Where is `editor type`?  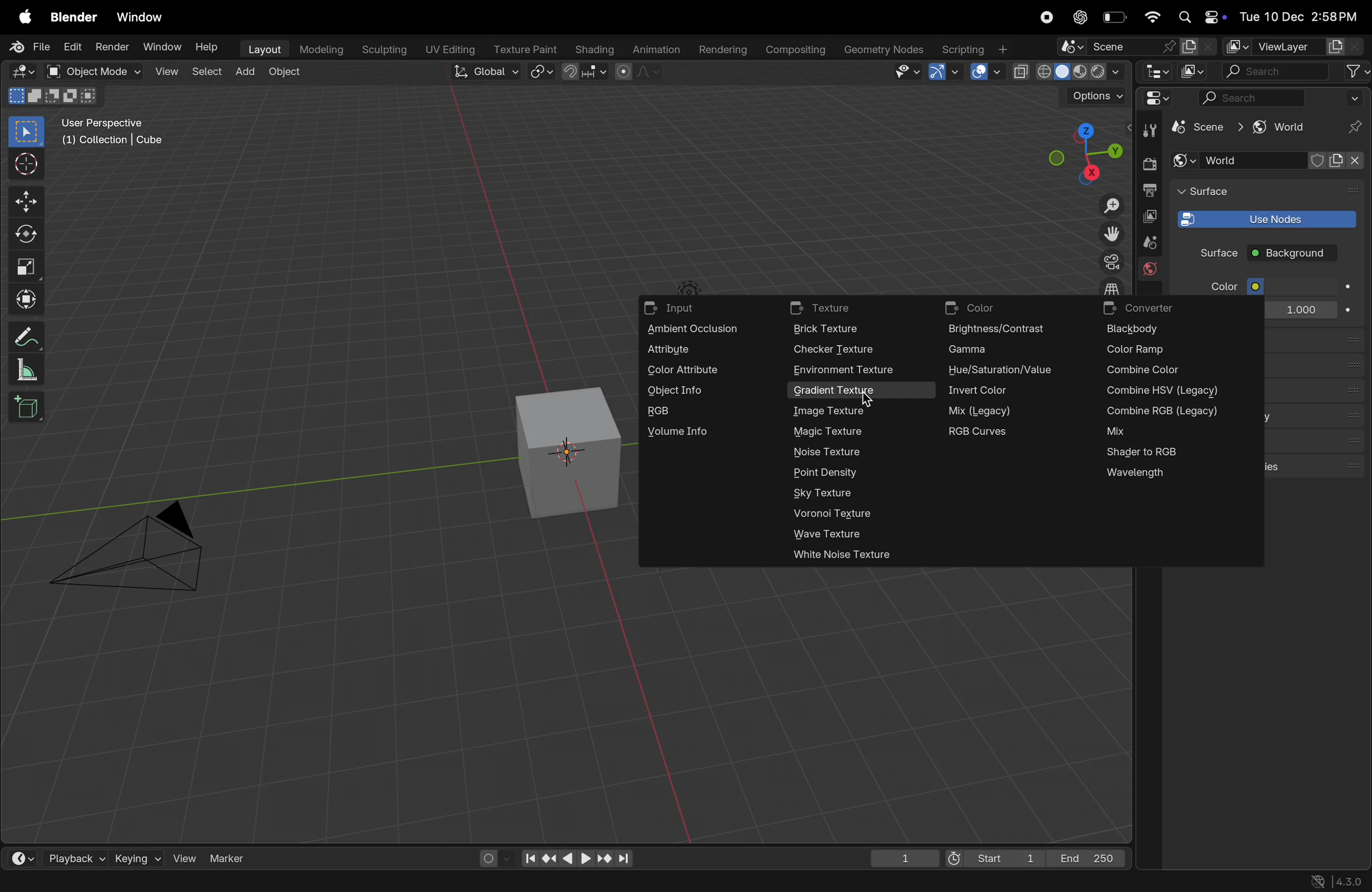 editor type is located at coordinates (1154, 98).